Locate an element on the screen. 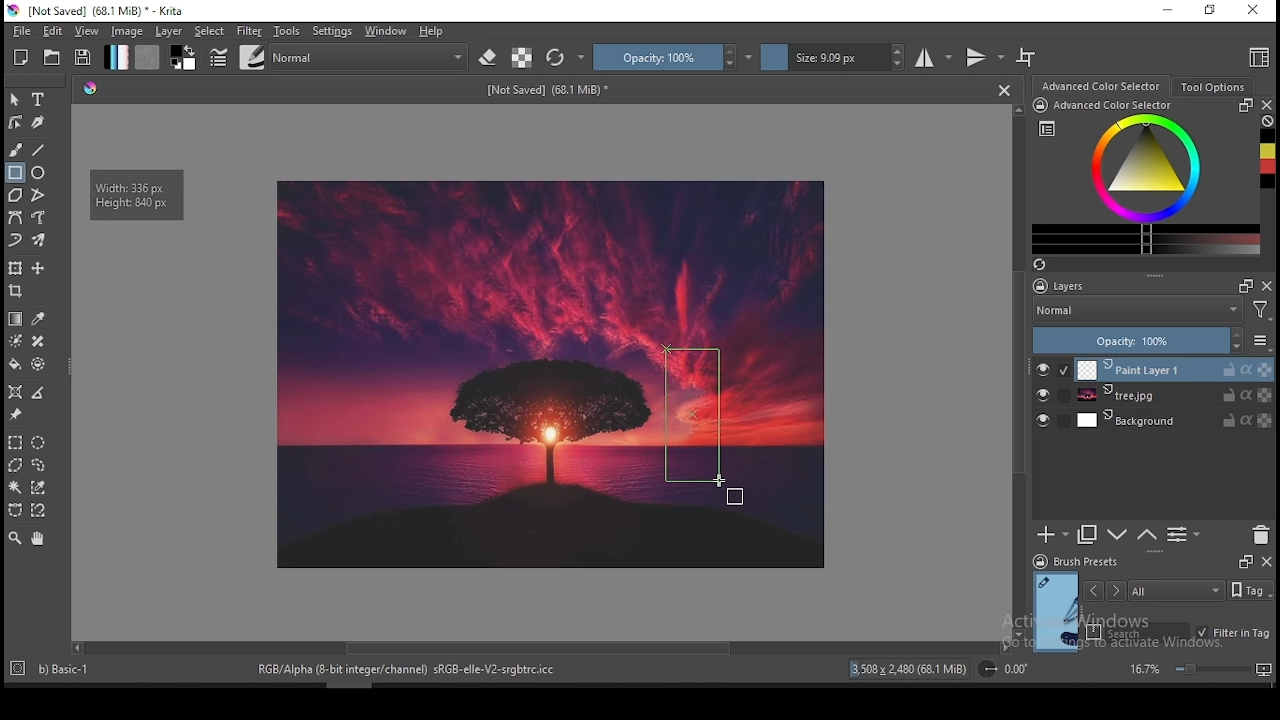 The height and width of the screenshot is (720, 1280). layer is located at coordinates (1173, 396).